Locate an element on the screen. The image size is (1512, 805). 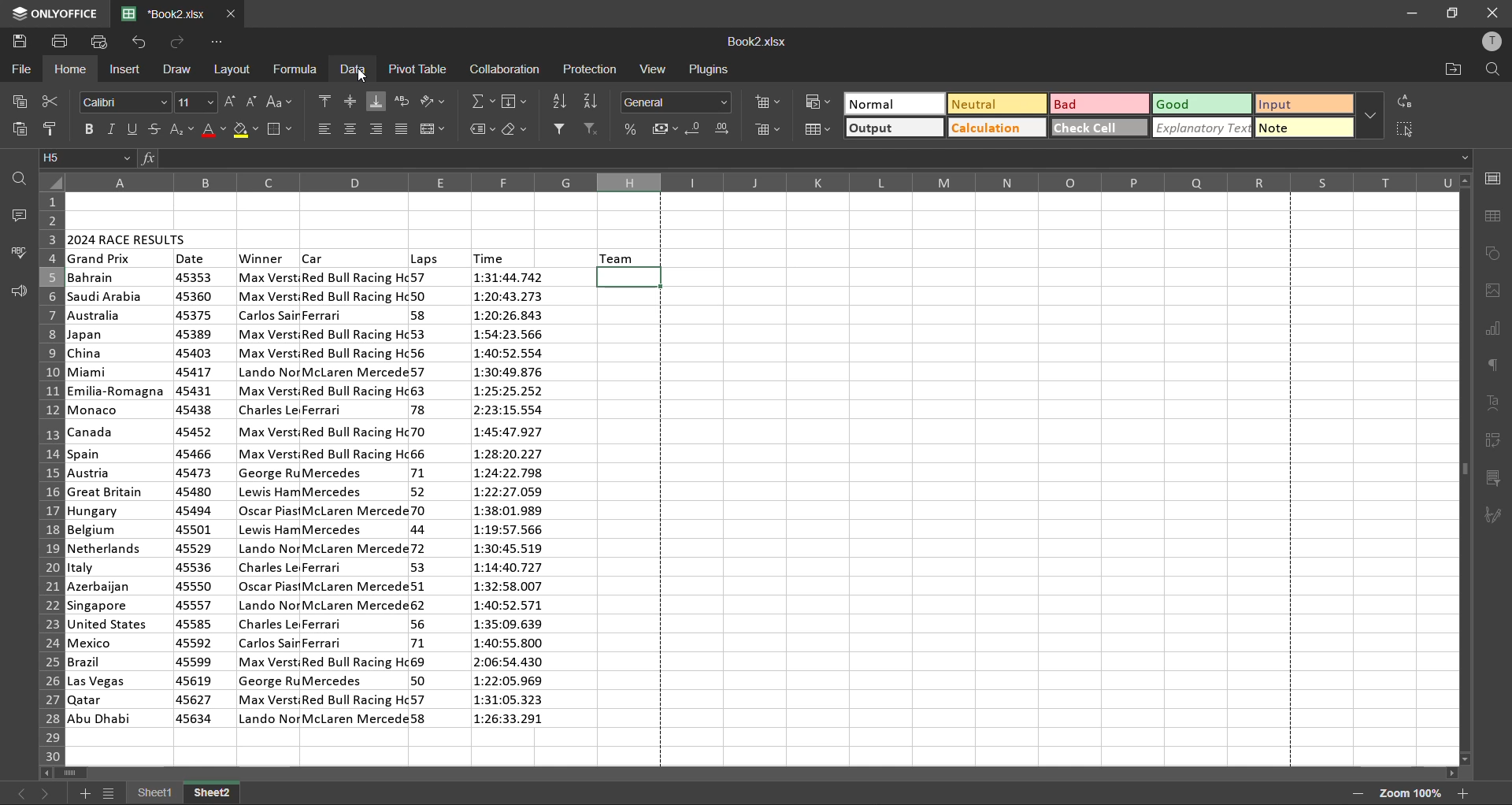
maximize is located at coordinates (1455, 12).